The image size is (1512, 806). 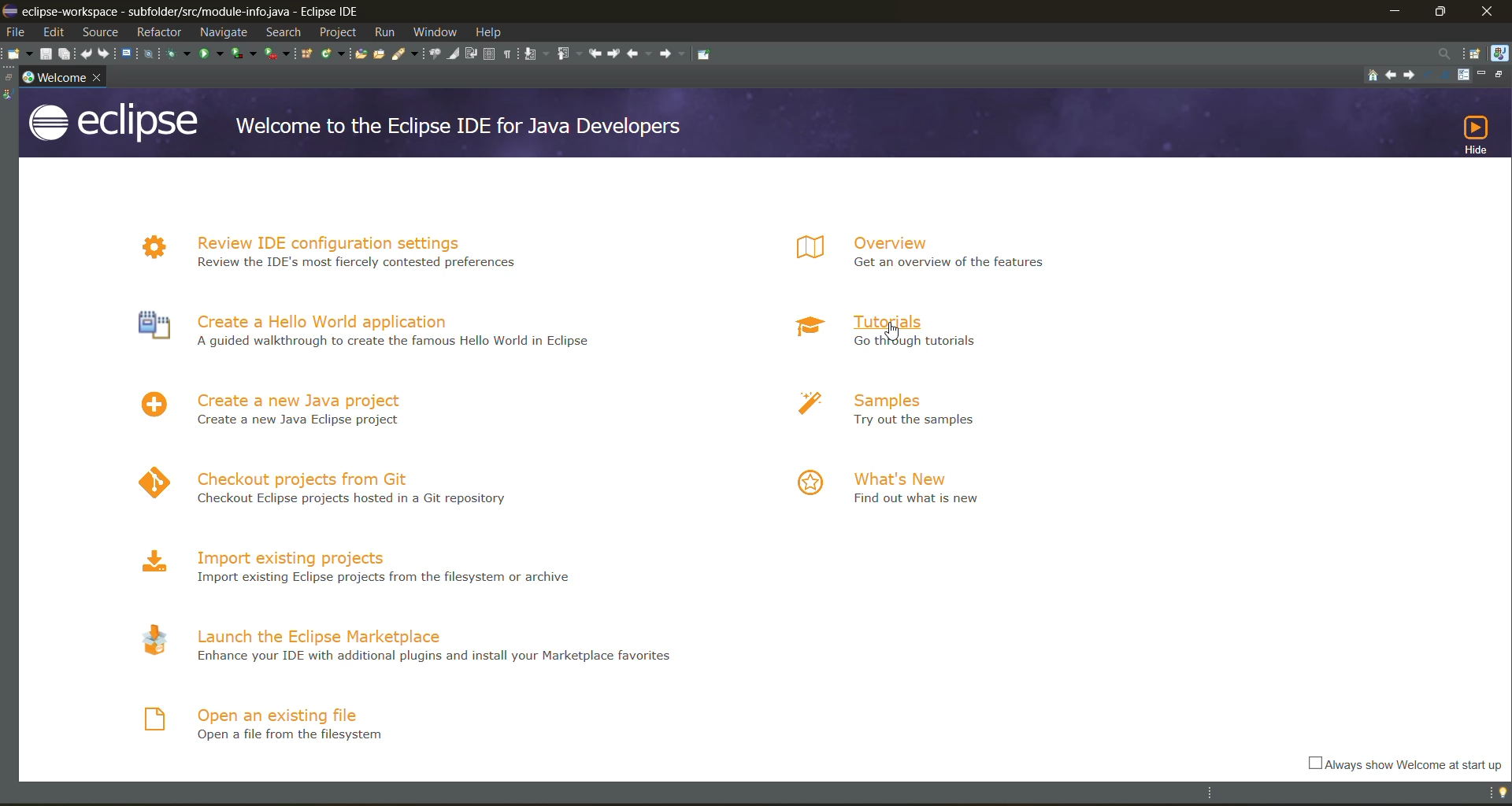 What do you see at coordinates (221, 31) in the screenshot?
I see `navigate` at bounding box center [221, 31].